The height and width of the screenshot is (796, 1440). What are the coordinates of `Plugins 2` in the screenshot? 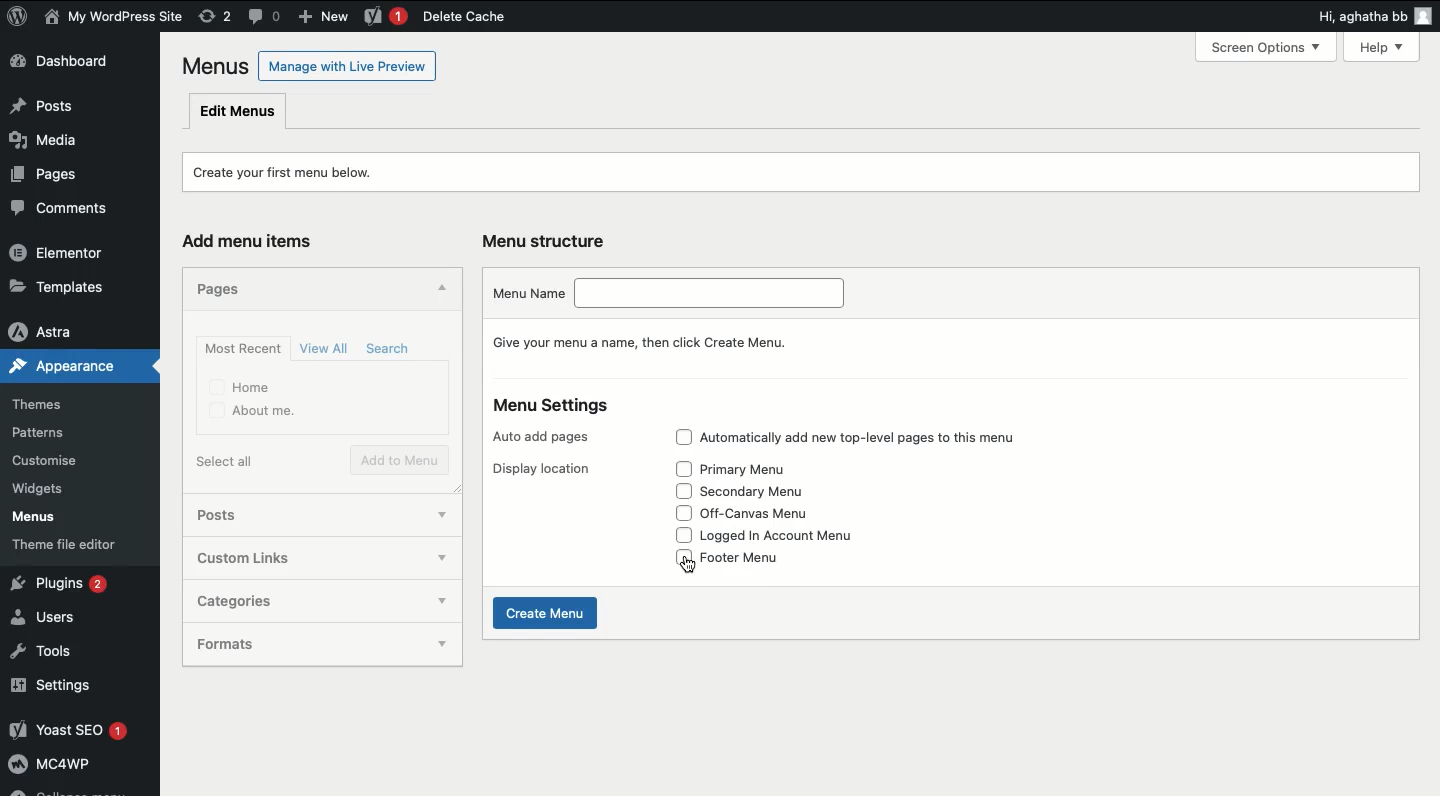 It's located at (75, 584).